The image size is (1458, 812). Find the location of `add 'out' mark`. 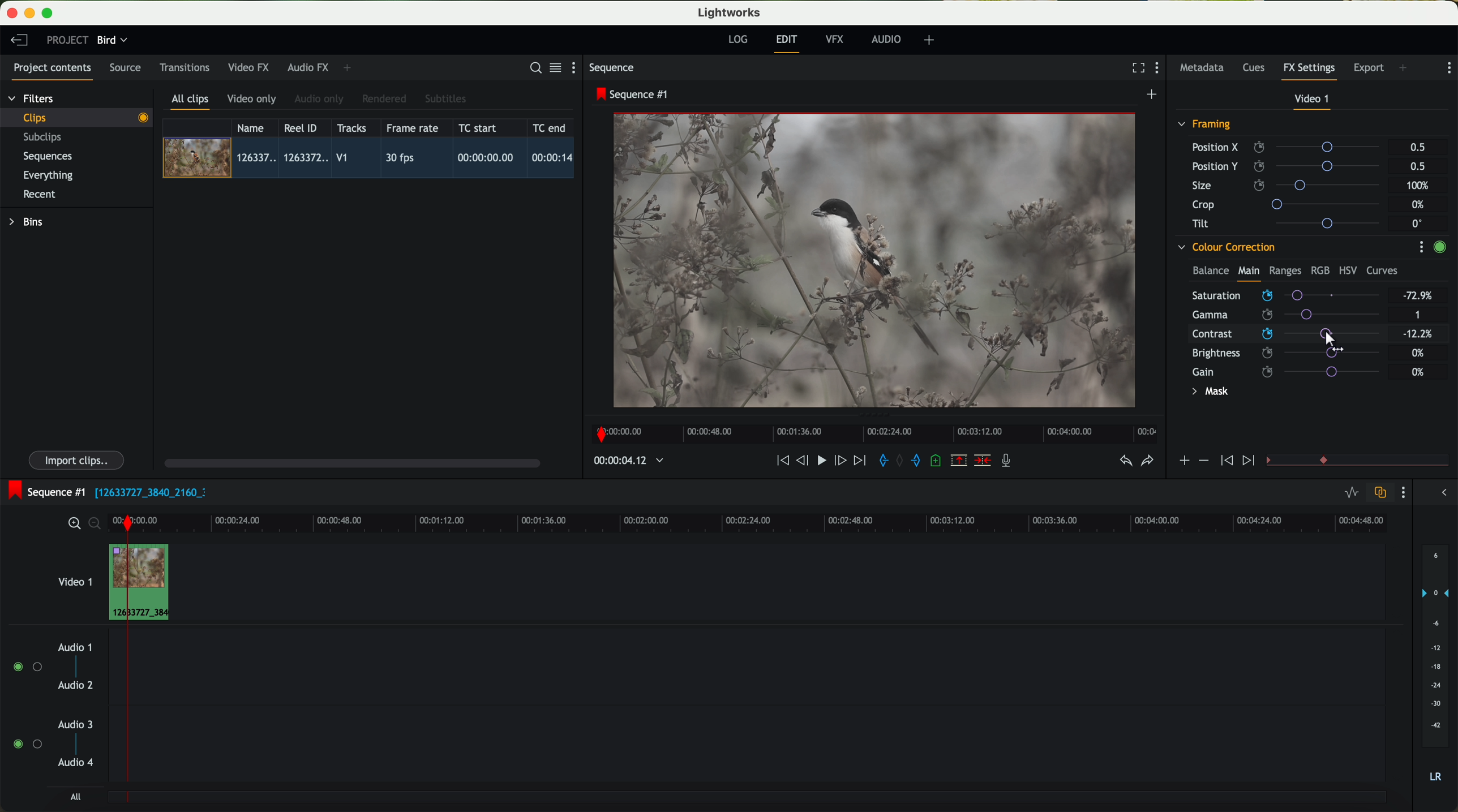

add 'out' mark is located at coordinates (921, 459).